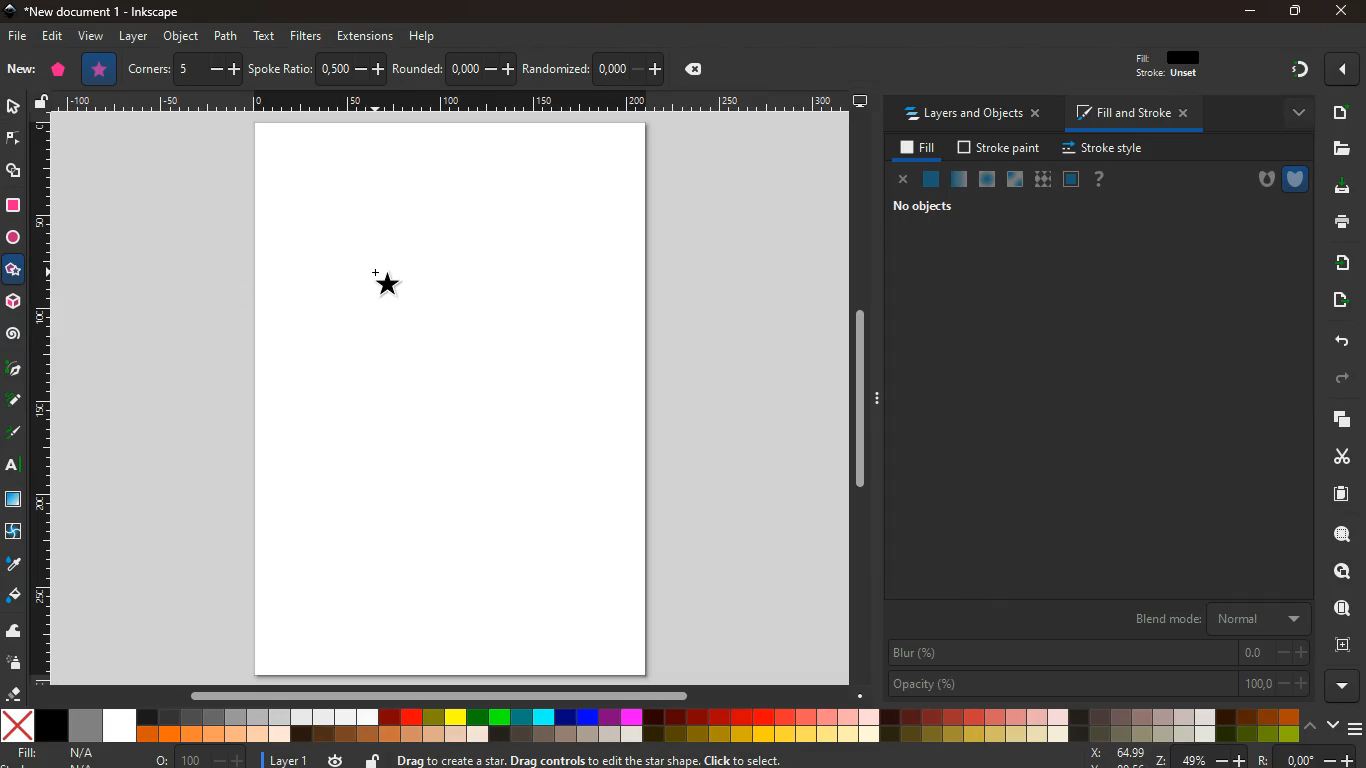  I want to click on twist, so click(15, 533).